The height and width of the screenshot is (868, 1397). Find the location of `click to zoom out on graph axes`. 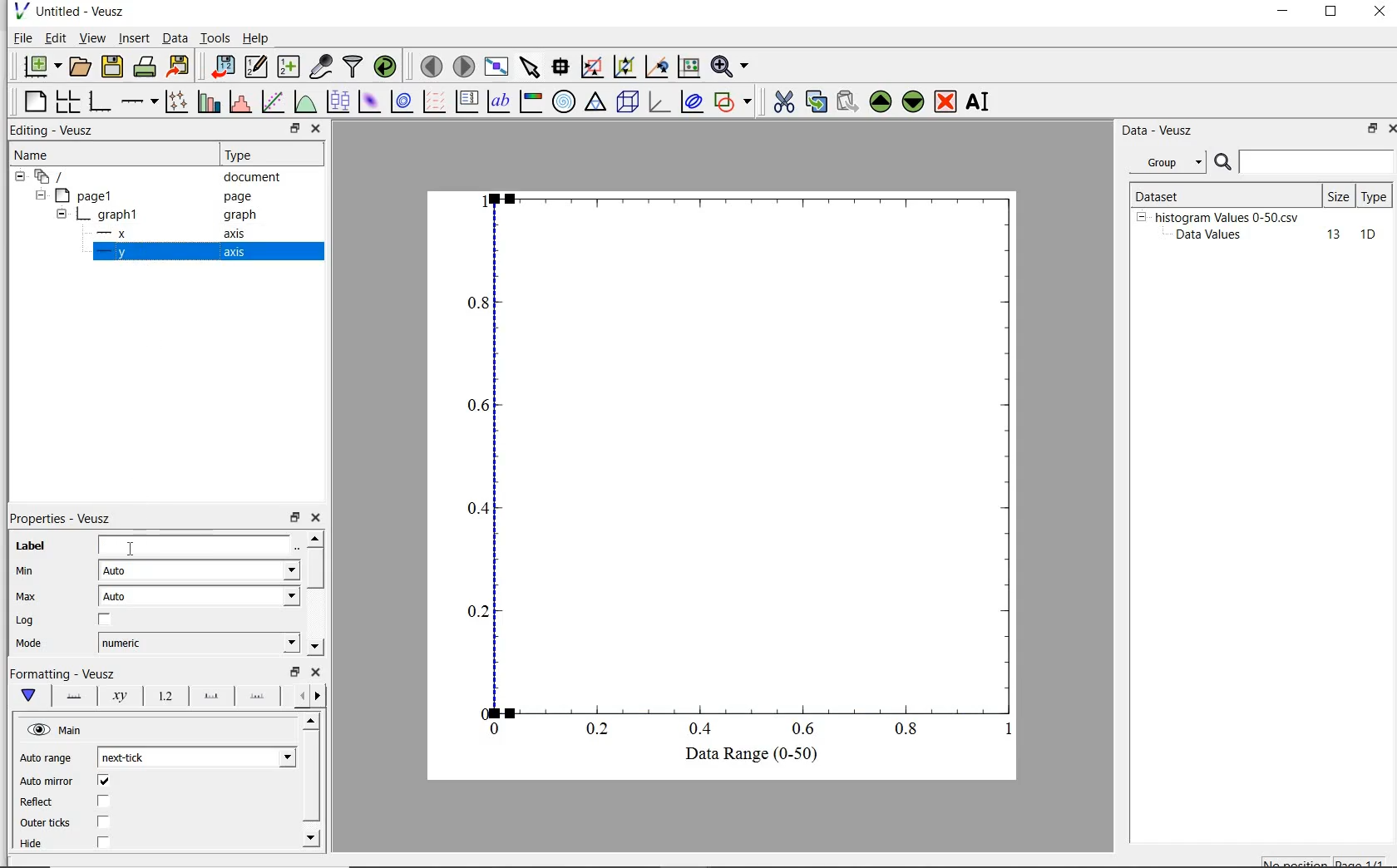

click to zoom out on graph axes is located at coordinates (656, 67).